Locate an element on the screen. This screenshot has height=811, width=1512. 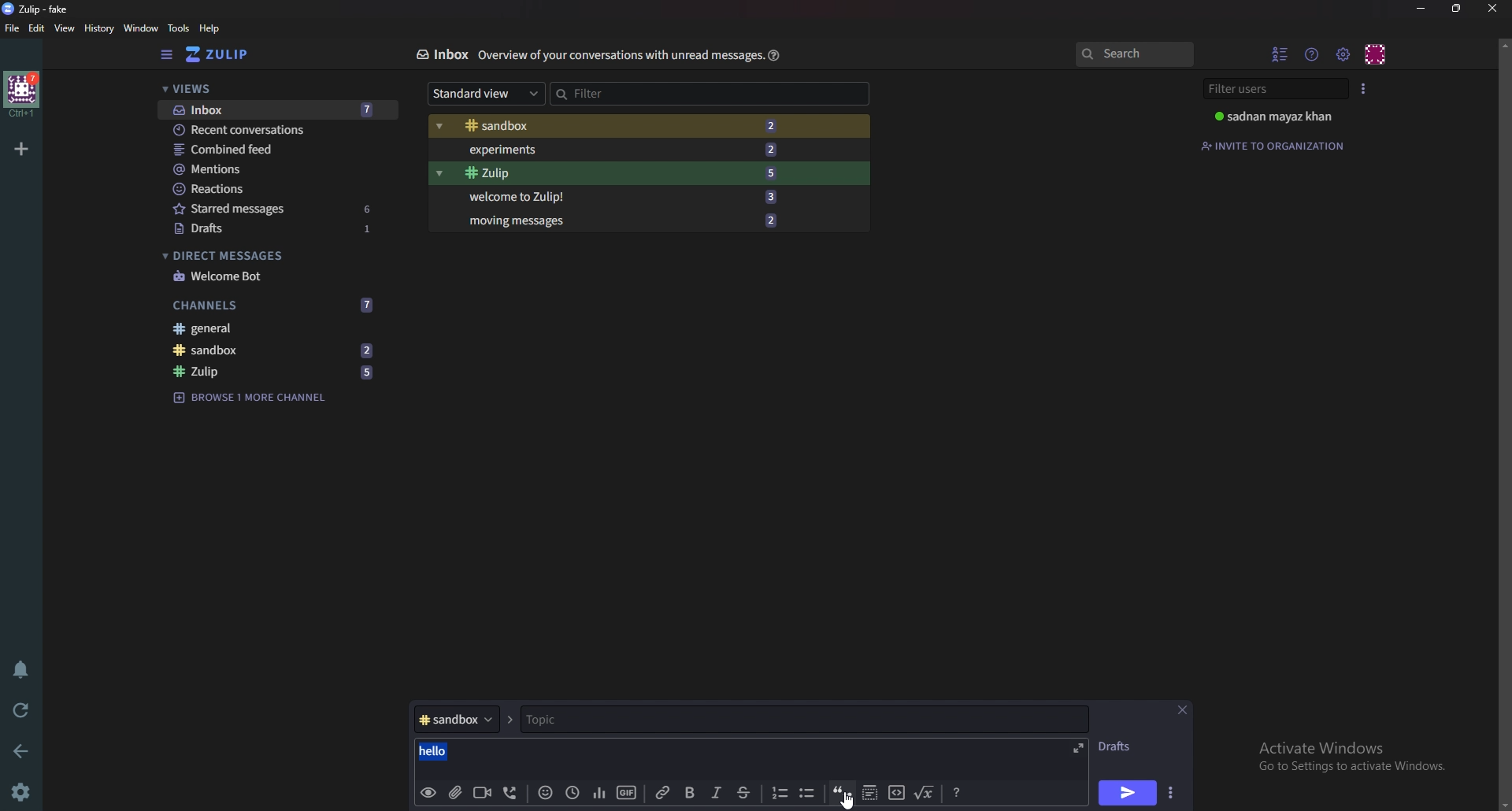
History is located at coordinates (98, 28).